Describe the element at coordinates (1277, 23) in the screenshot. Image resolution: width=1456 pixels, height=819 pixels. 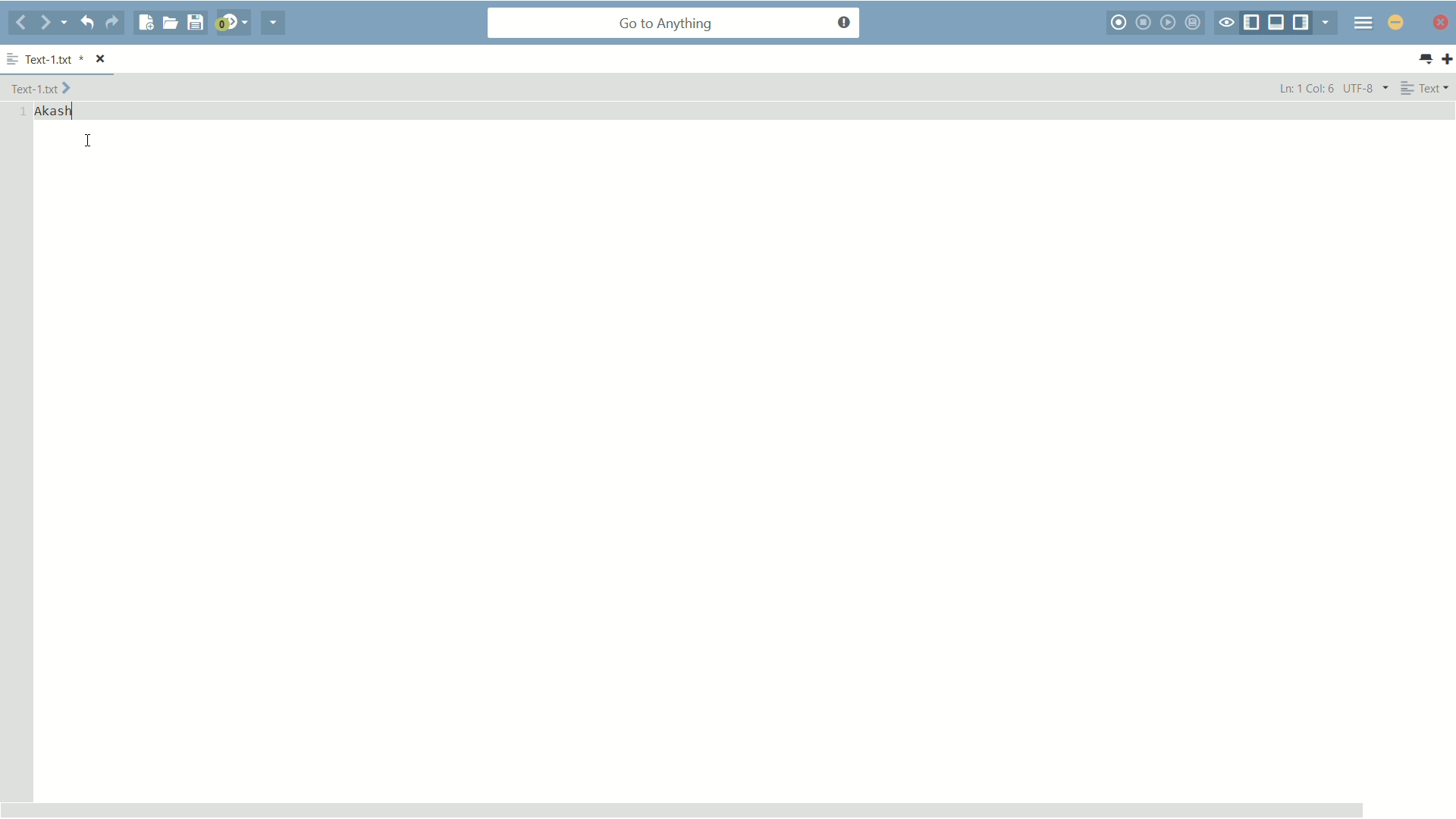
I see `show/hide bottom panel` at that location.